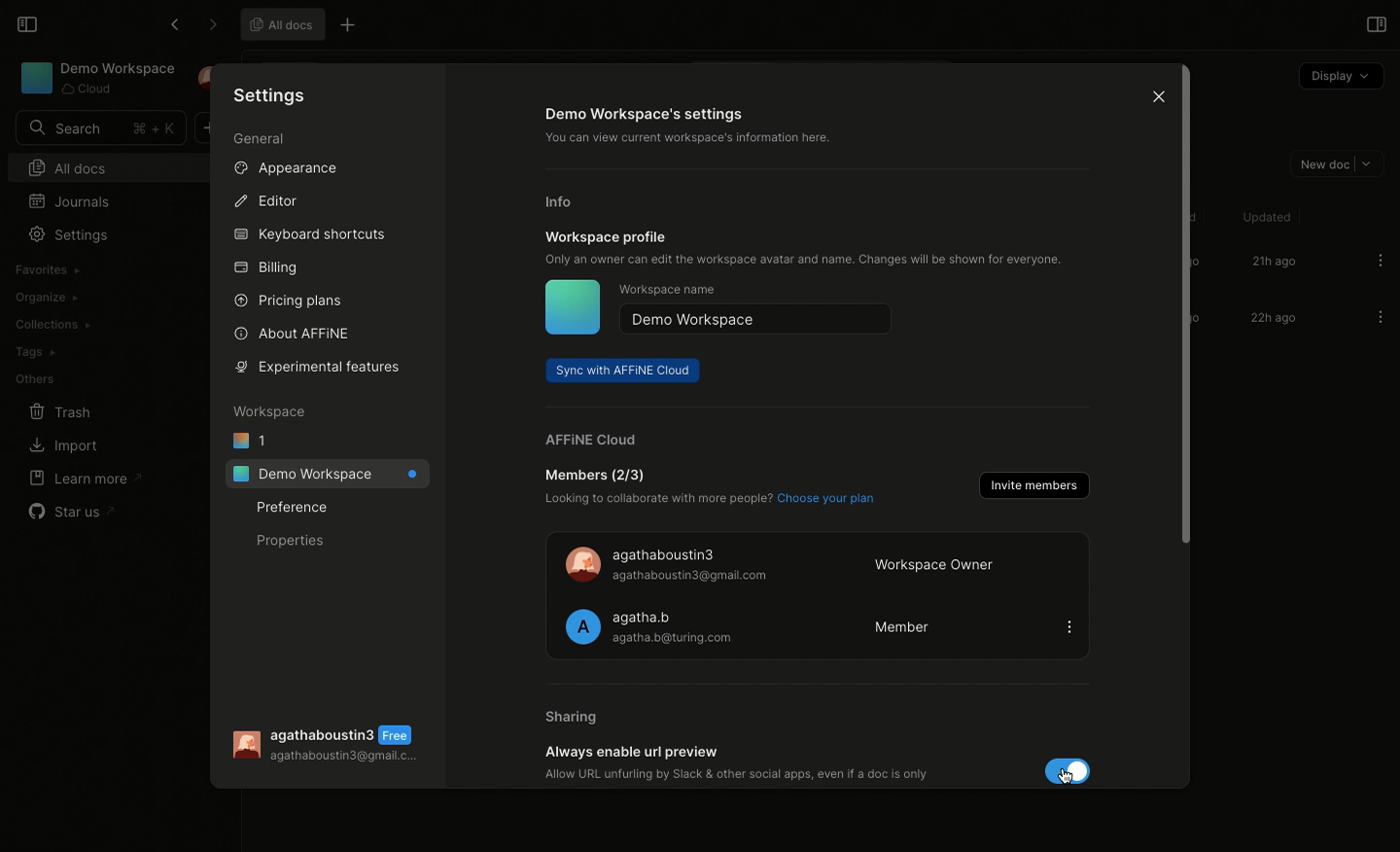 Image resolution: width=1400 pixels, height=852 pixels. I want to click on Learn more, so click(84, 478).